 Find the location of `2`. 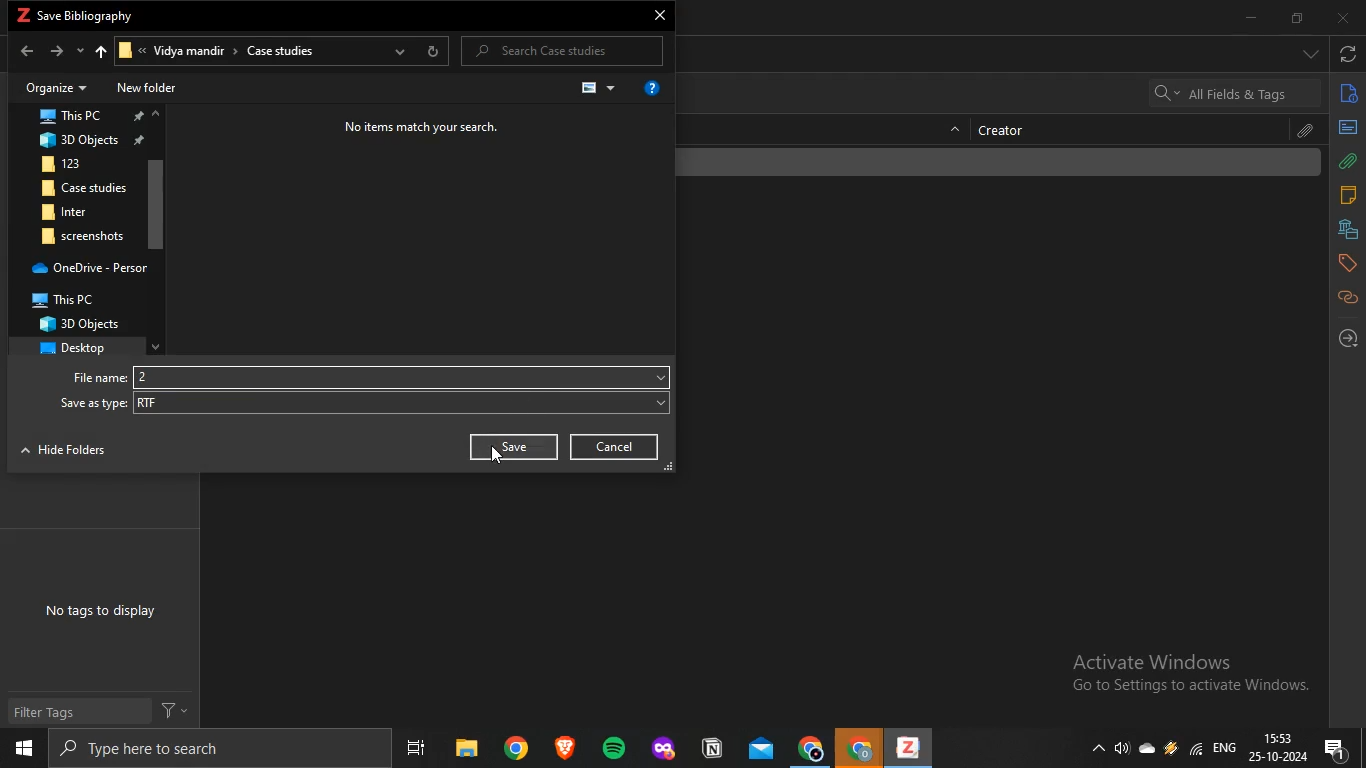

2 is located at coordinates (401, 378).